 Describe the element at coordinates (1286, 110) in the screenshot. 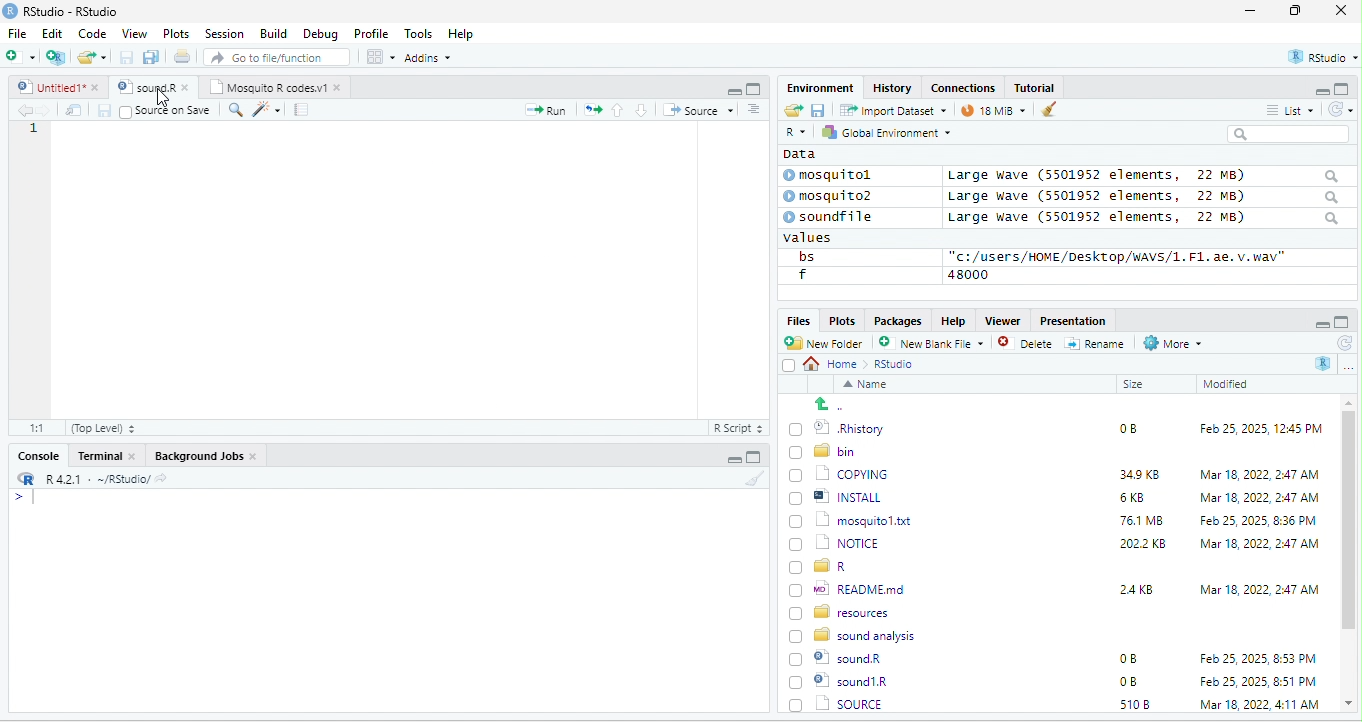

I see `= List ~` at that location.